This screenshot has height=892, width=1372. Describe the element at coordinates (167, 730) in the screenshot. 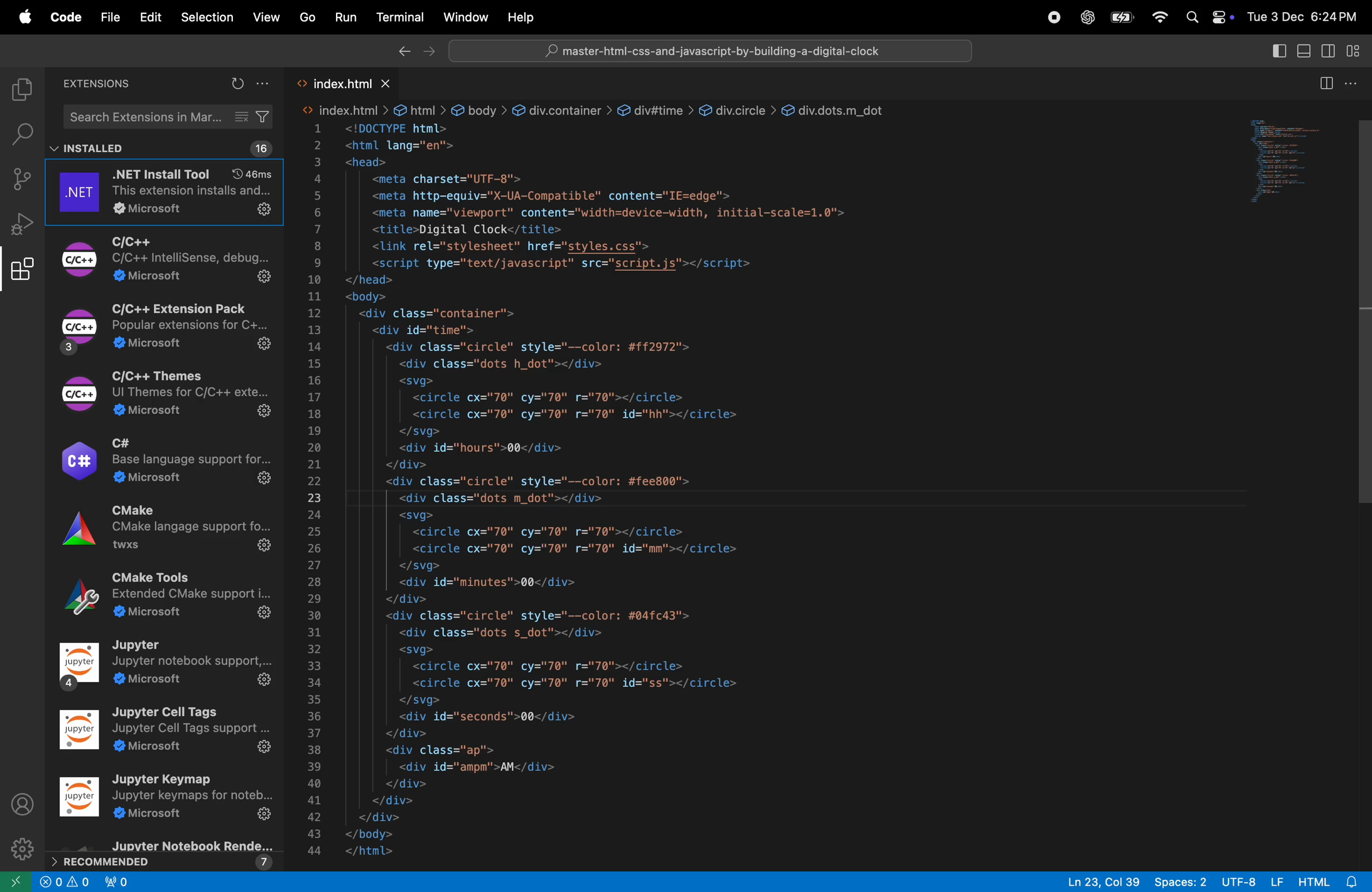

I see `Extension juypter cells` at that location.